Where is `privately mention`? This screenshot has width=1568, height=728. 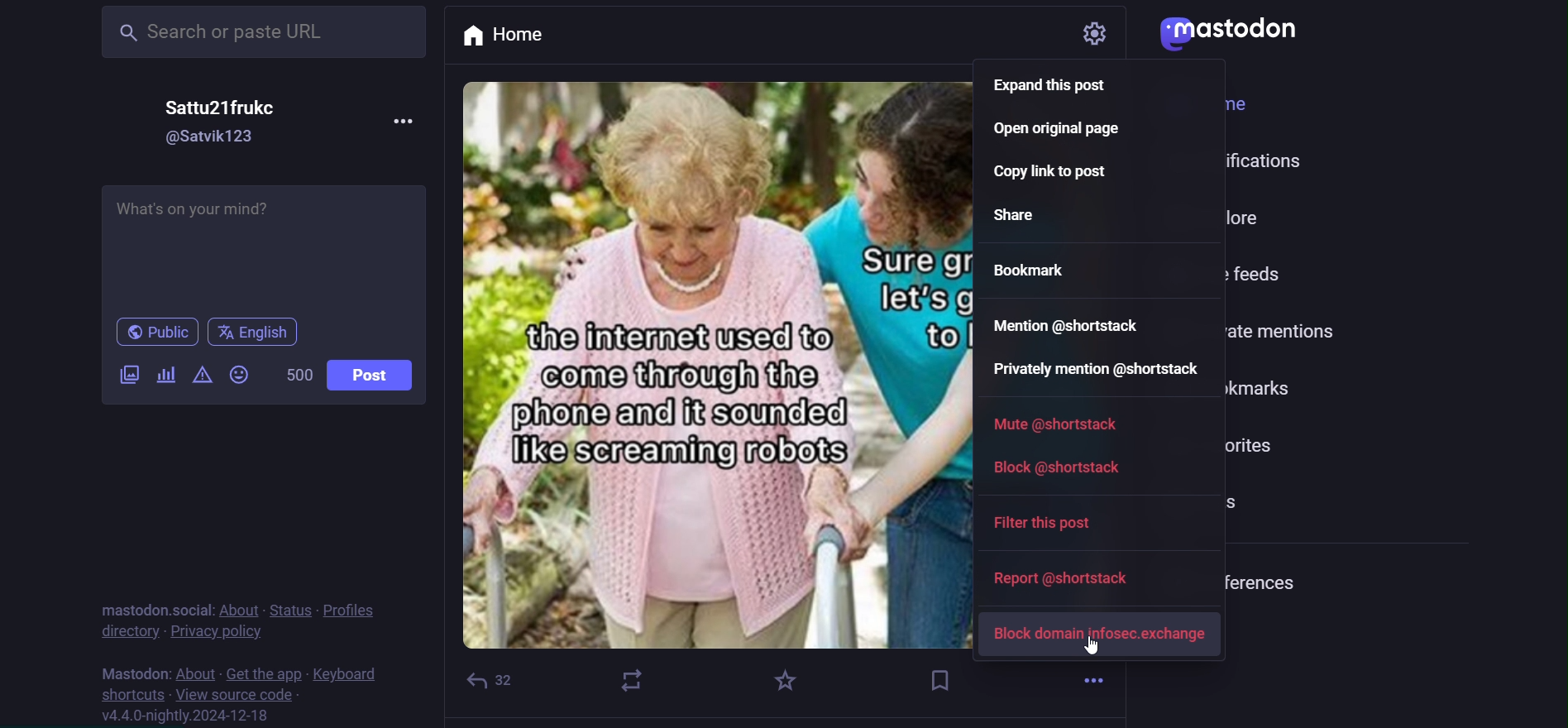 privately mention is located at coordinates (1097, 371).